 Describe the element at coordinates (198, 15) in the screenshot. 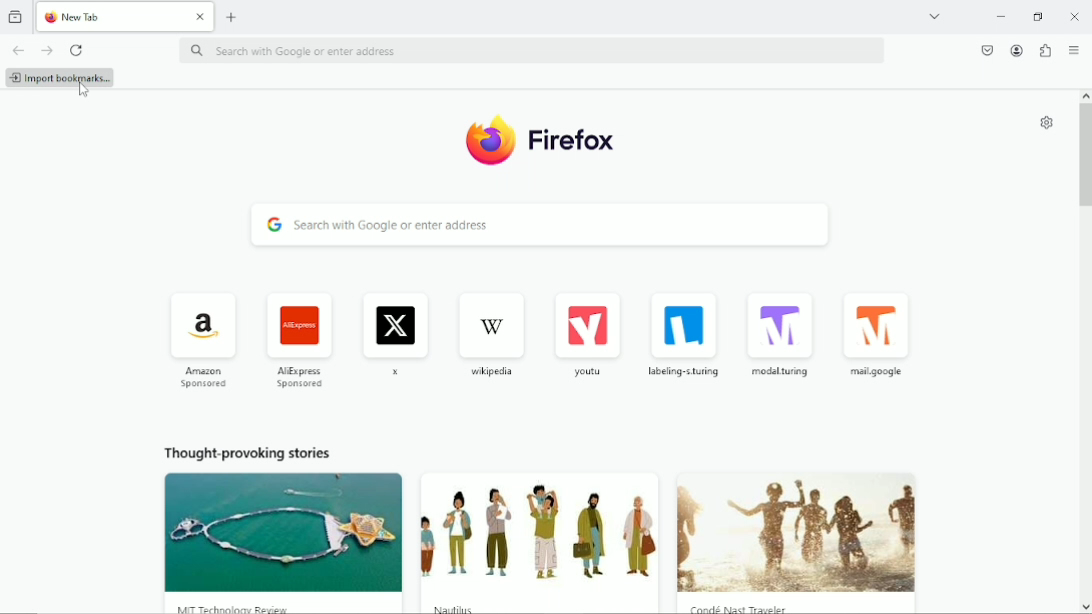

I see `close` at that location.